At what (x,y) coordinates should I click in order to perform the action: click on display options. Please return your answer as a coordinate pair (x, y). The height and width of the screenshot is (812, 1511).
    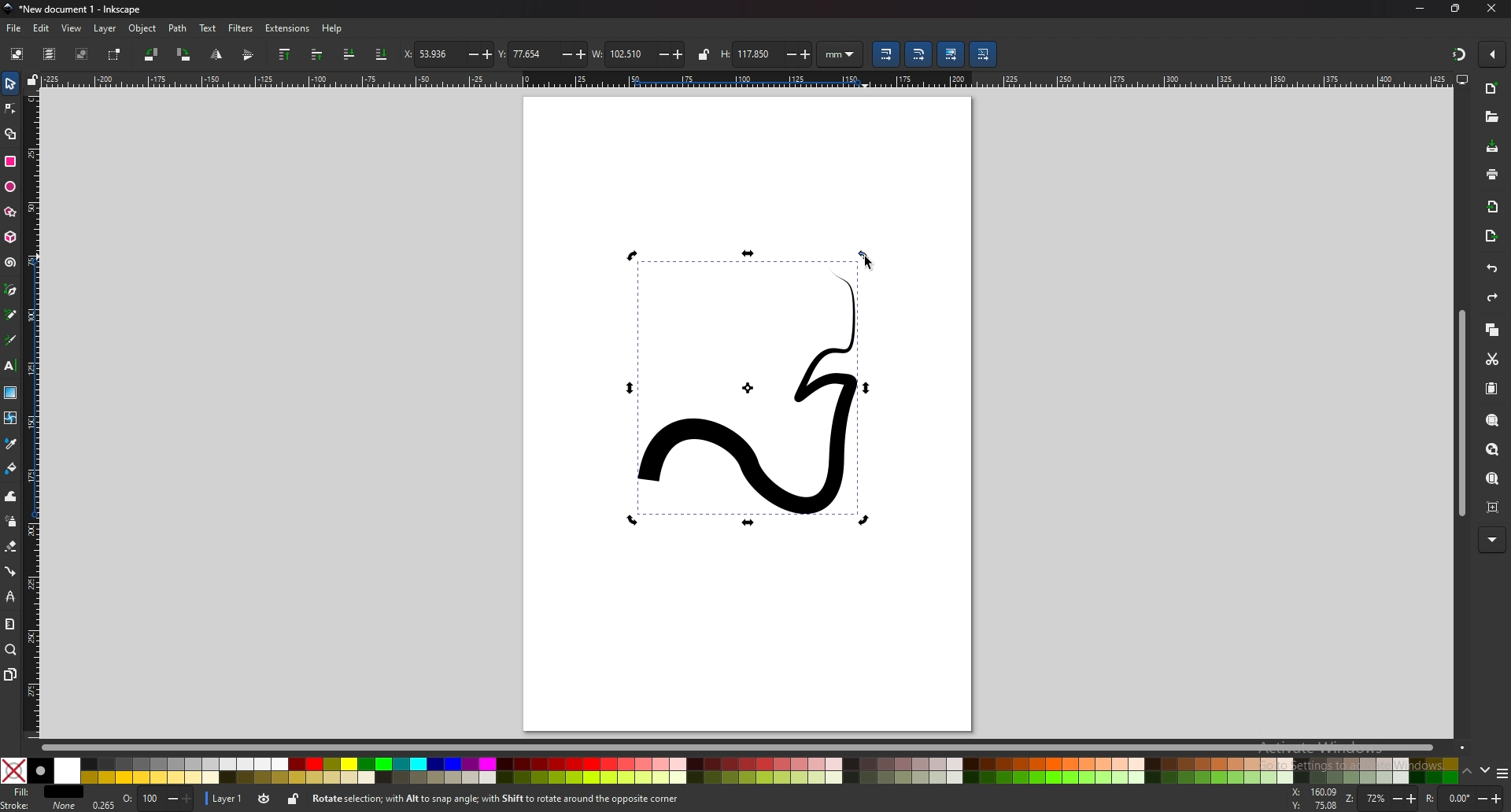
    Looking at the image, I should click on (1462, 79).